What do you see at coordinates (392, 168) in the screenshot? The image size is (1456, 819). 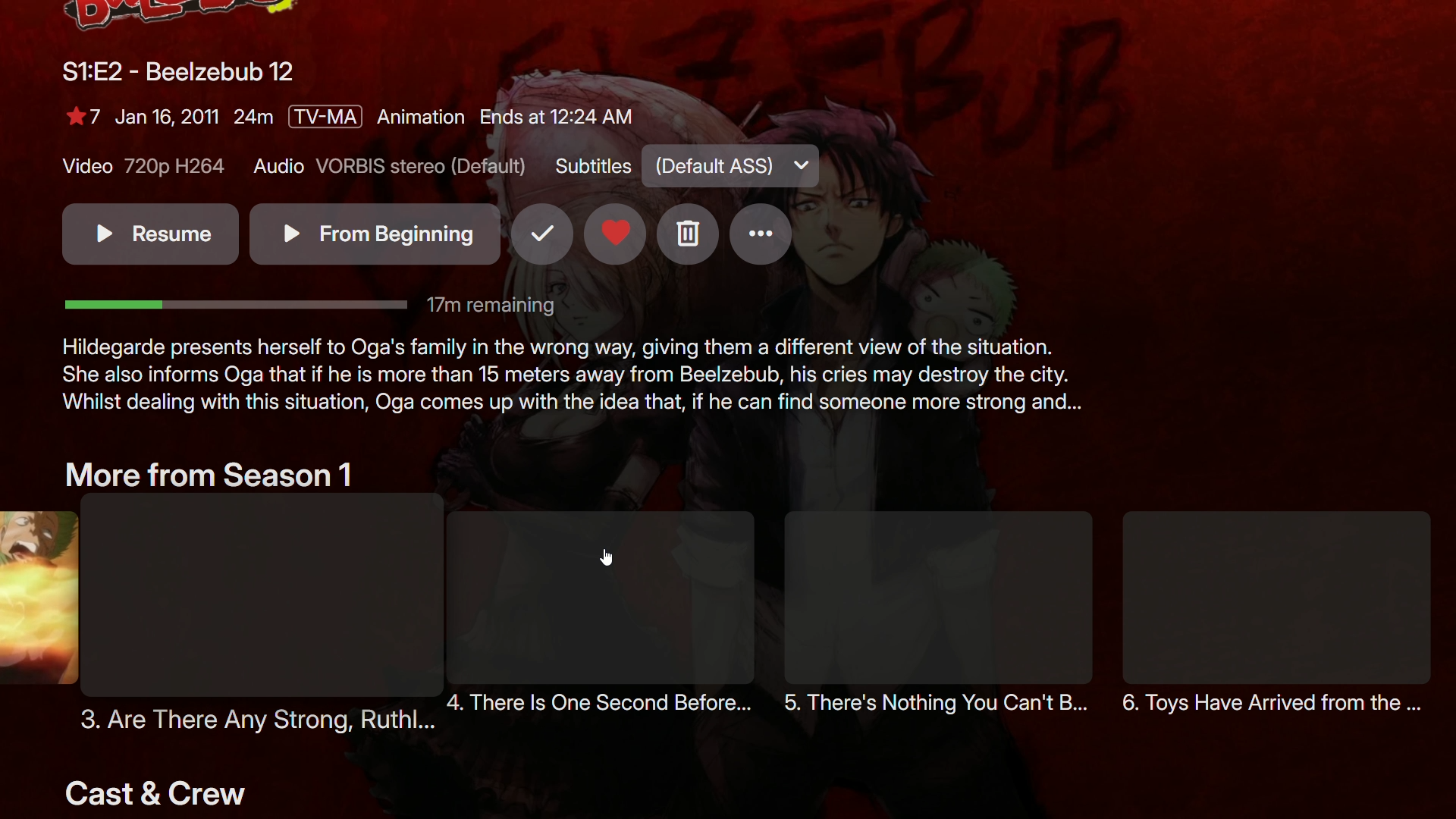 I see `Audio - VORBIS` at bounding box center [392, 168].